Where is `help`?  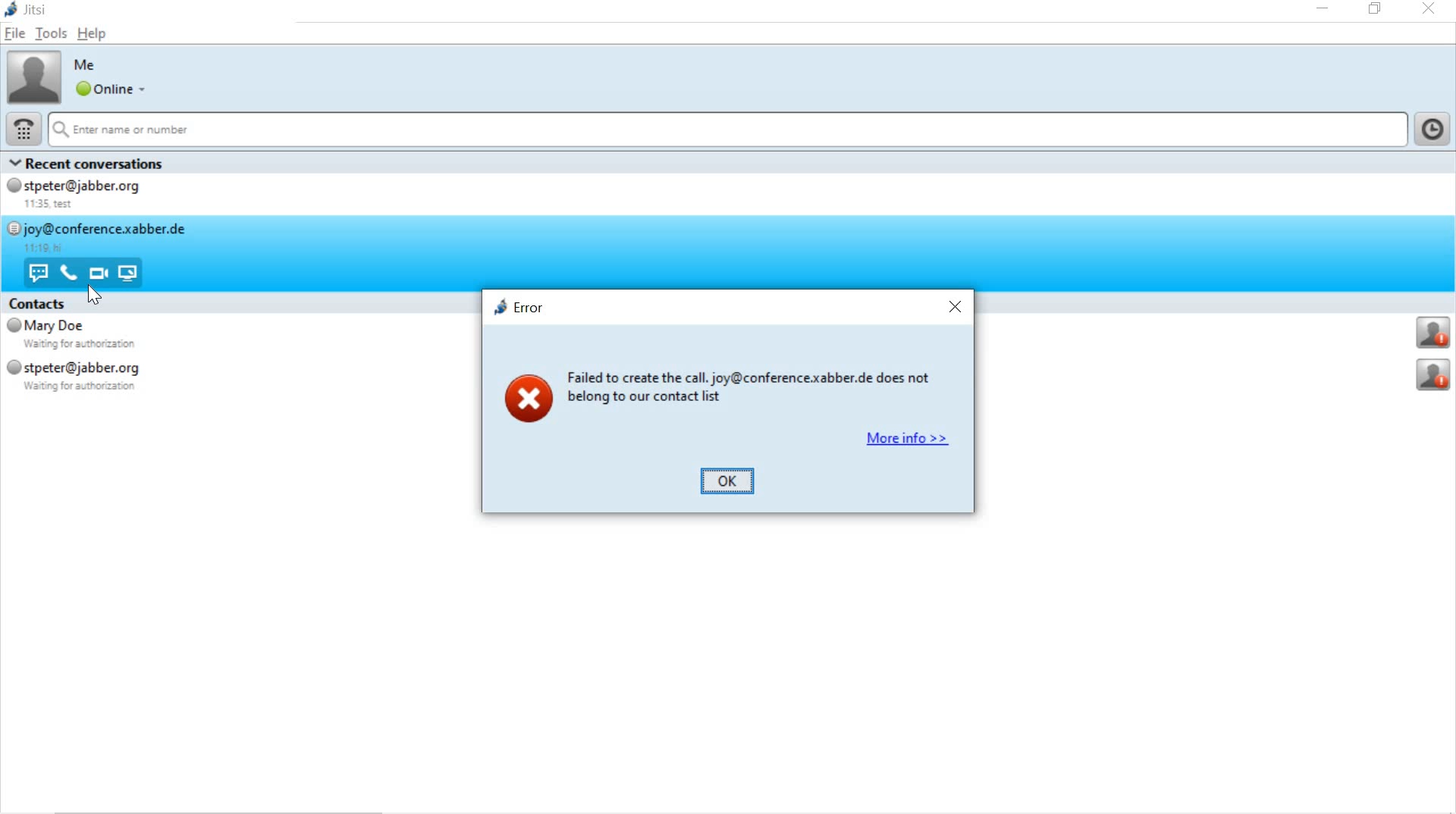 help is located at coordinates (92, 36).